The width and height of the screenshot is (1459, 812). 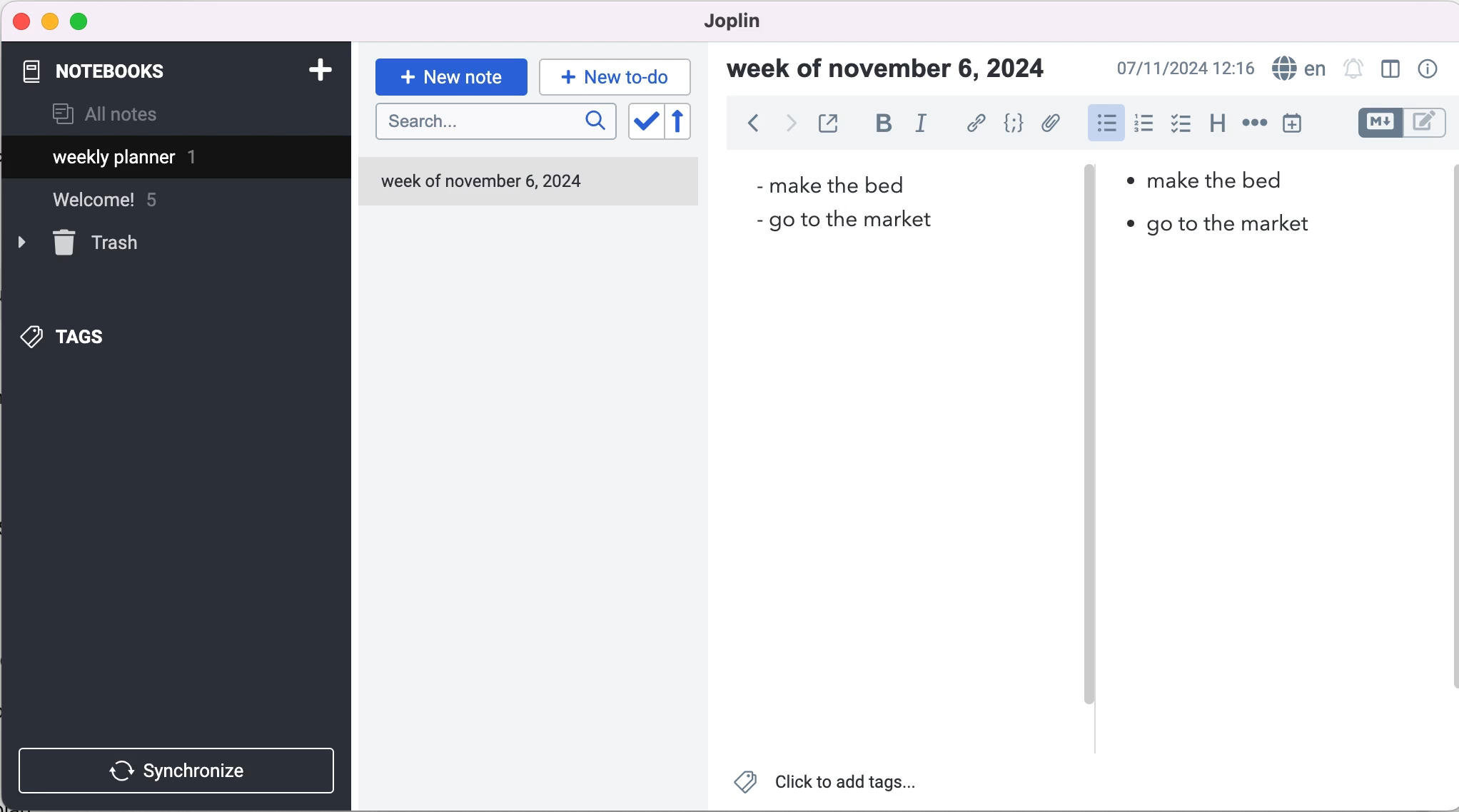 I want to click on synchronize, so click(x=180, y=770).